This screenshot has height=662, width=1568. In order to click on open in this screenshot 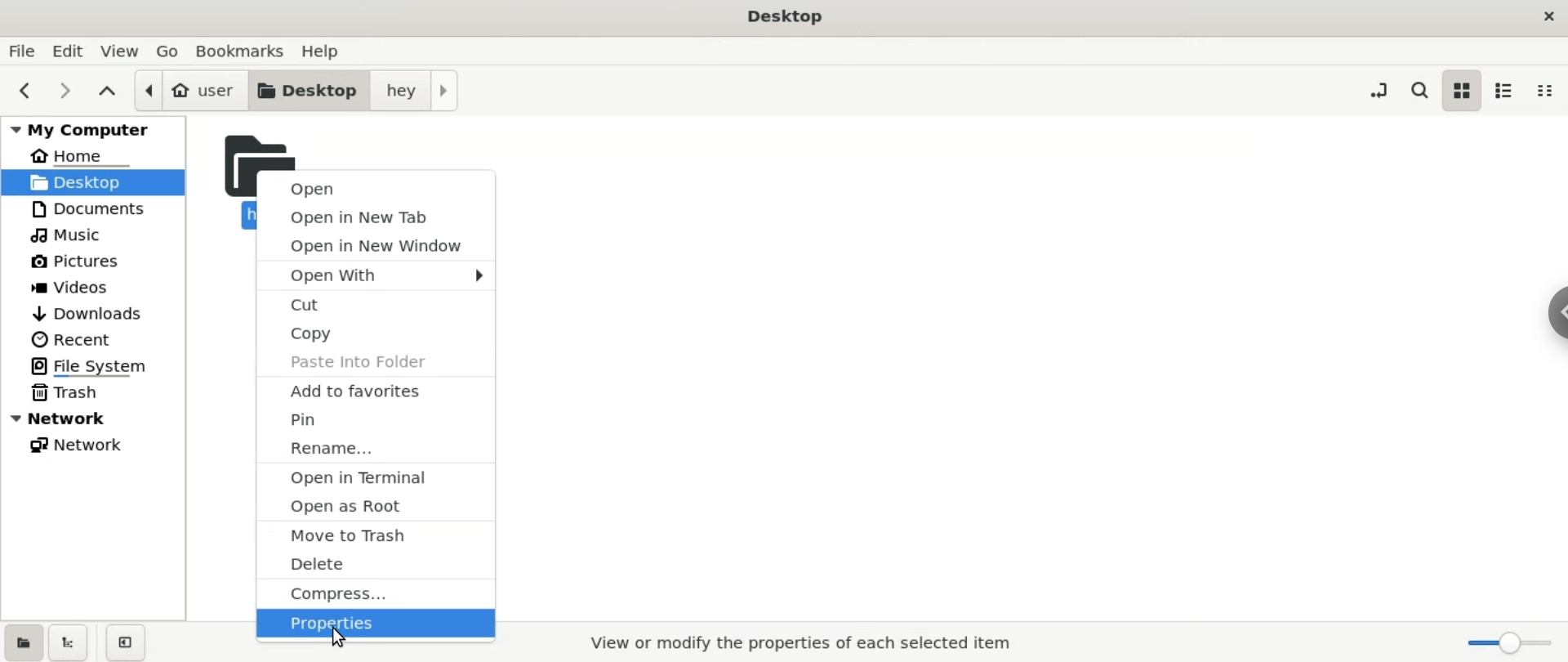, I will do `click(377, 186)`.